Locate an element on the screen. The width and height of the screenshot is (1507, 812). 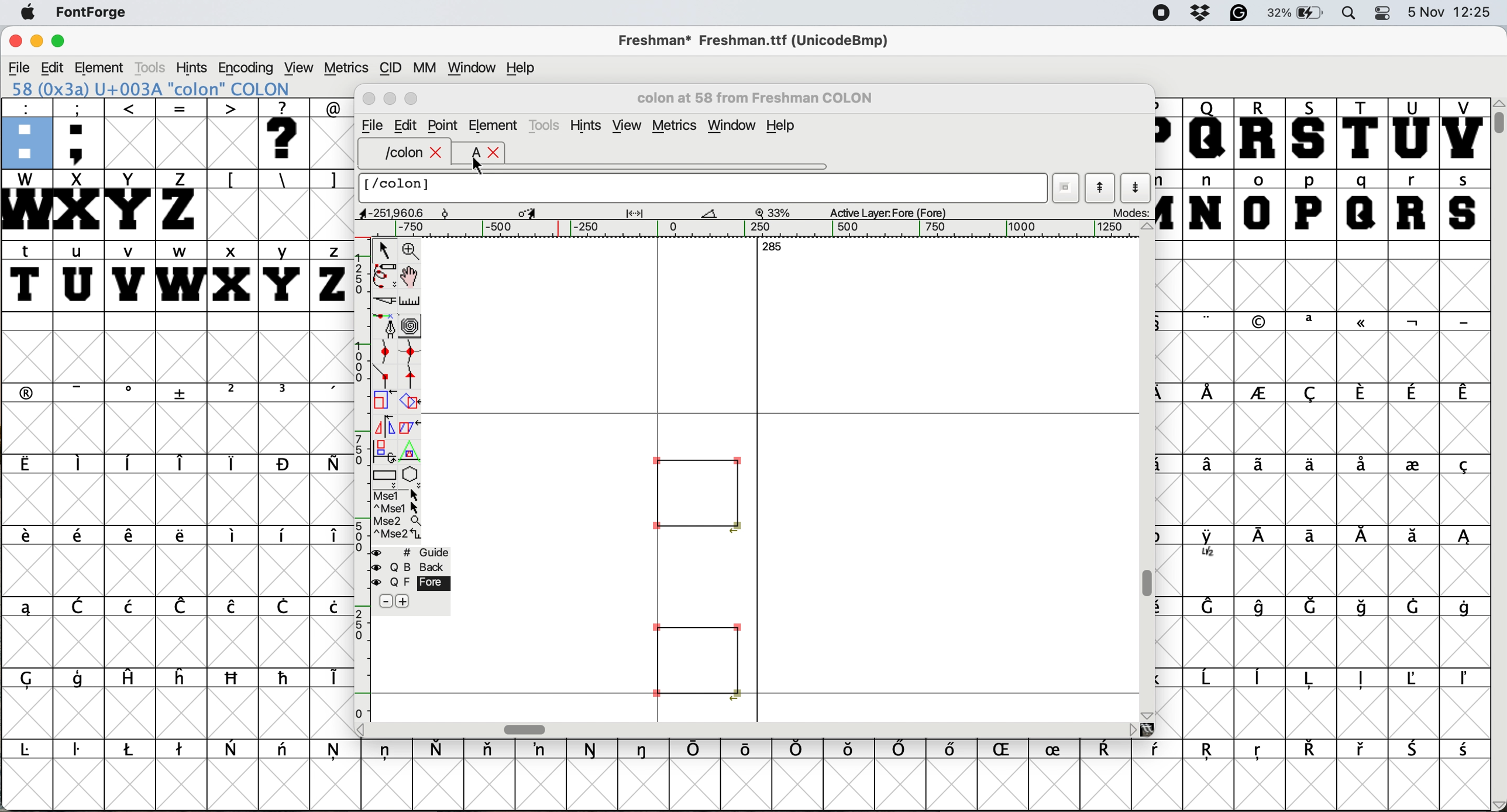
horizontal scroll bar is located at coordinates (755, 729).